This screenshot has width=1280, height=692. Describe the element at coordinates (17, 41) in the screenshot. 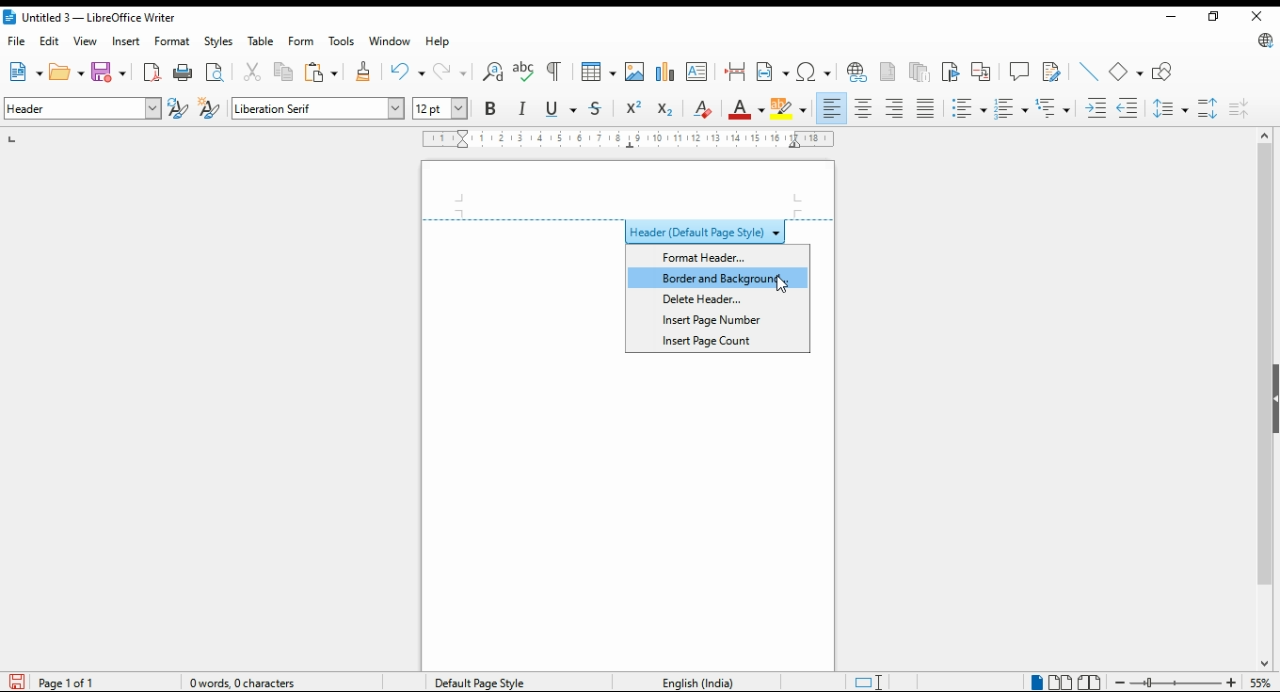

I see `file` at that location.